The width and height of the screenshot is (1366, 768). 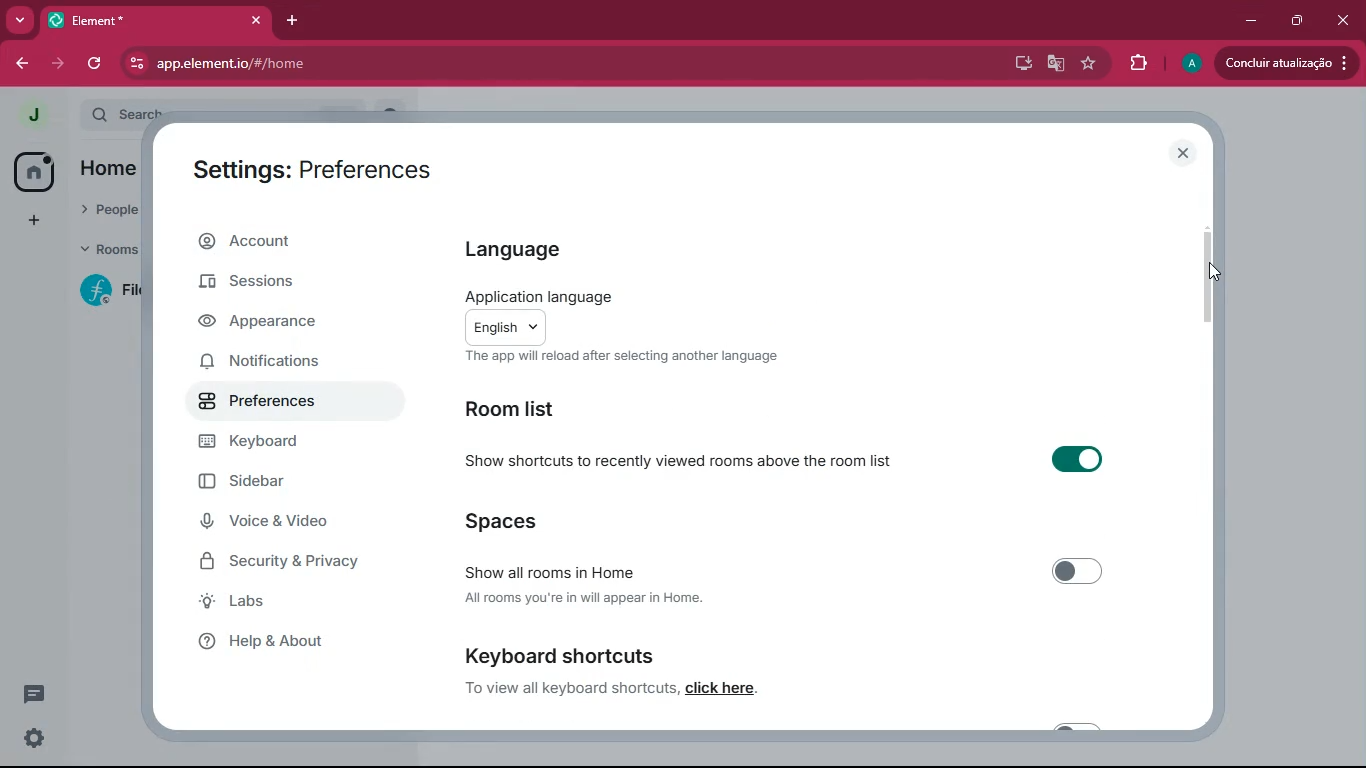 I want to click on labs, so click(x=304, y=606).